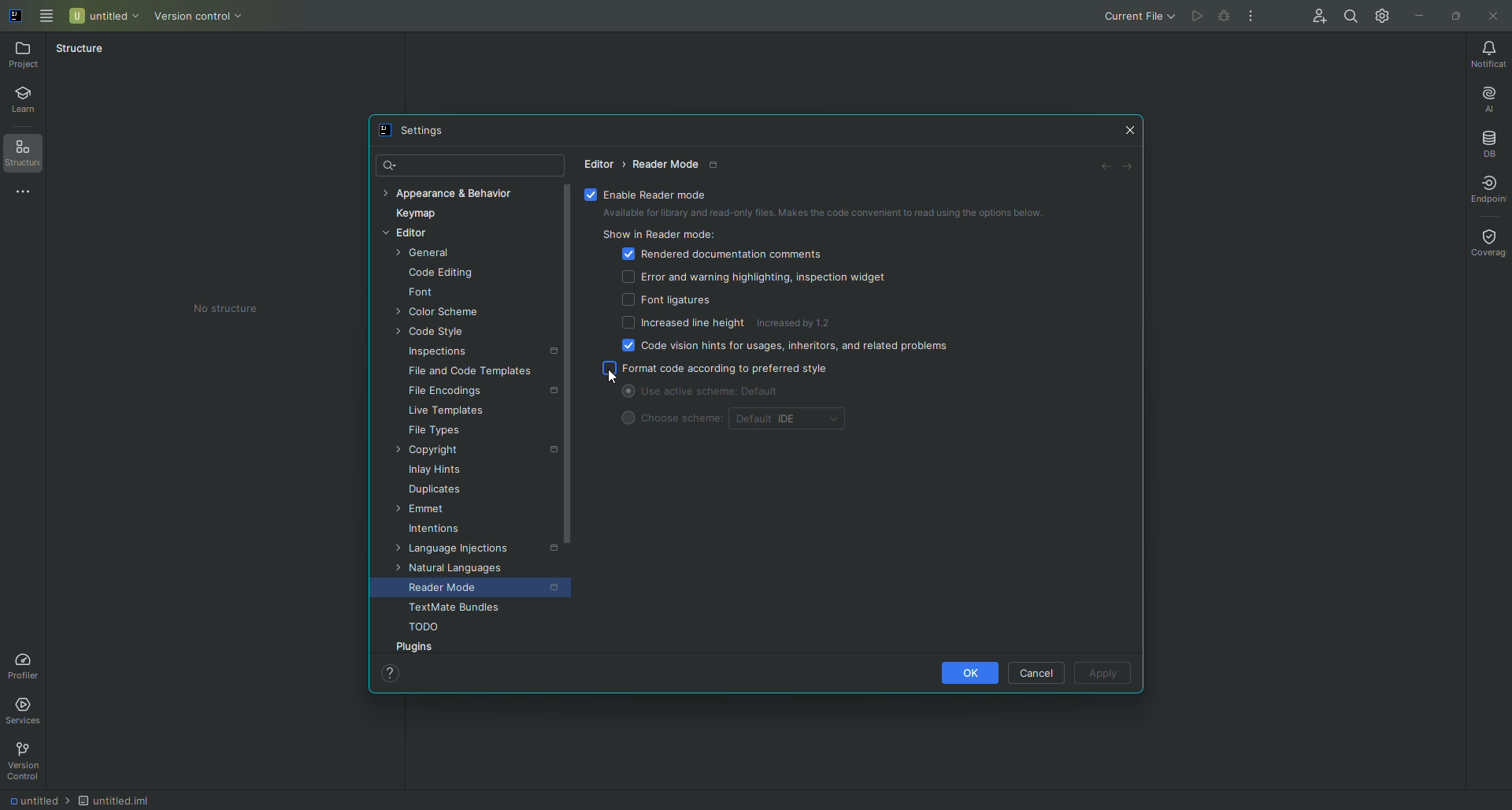  What do you see at coordinates (1380, 17) in the screenshot?
I see `Updates and Settings` at bounding box center [1380, 17].